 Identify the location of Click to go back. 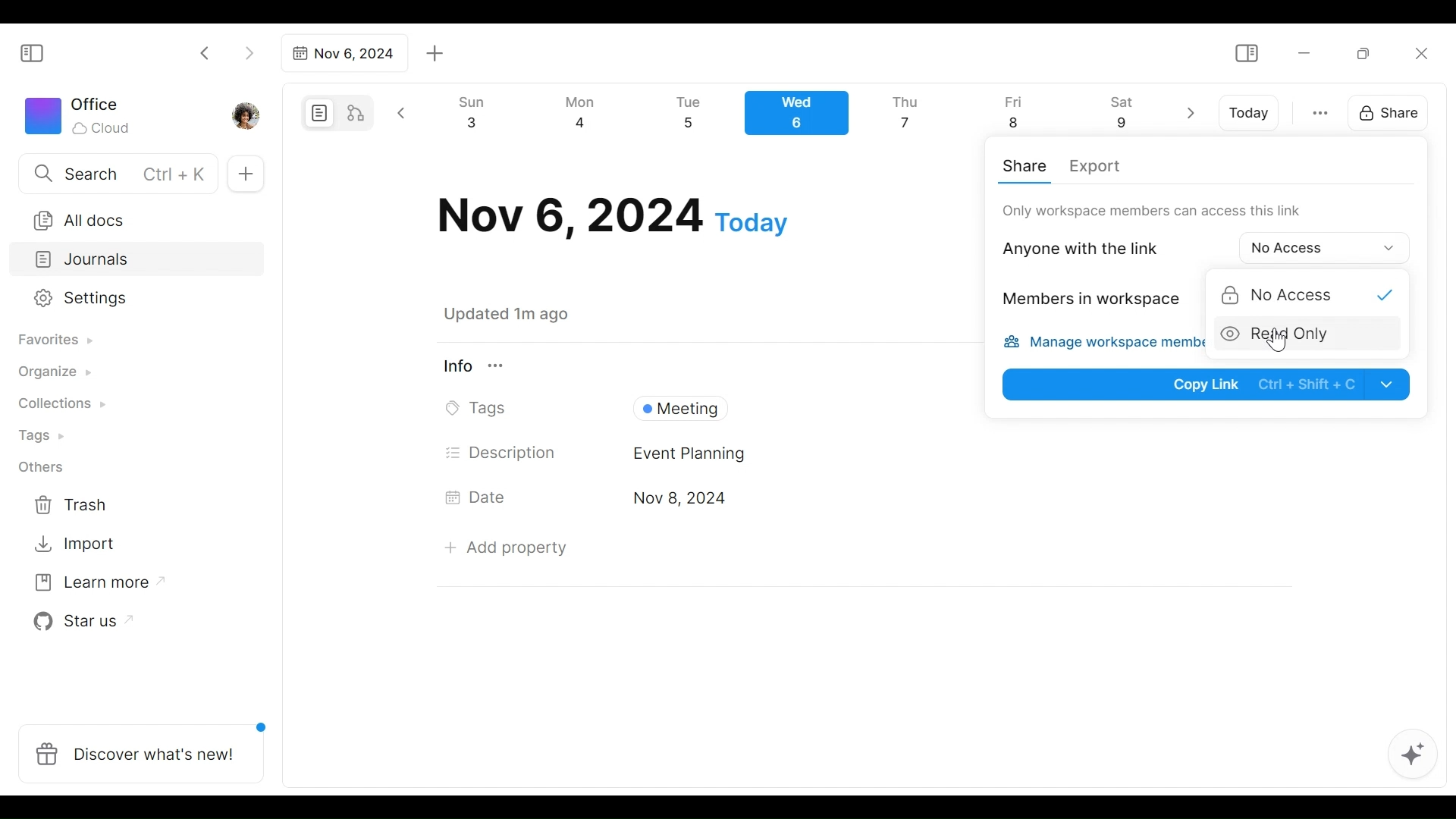
(206, 52).